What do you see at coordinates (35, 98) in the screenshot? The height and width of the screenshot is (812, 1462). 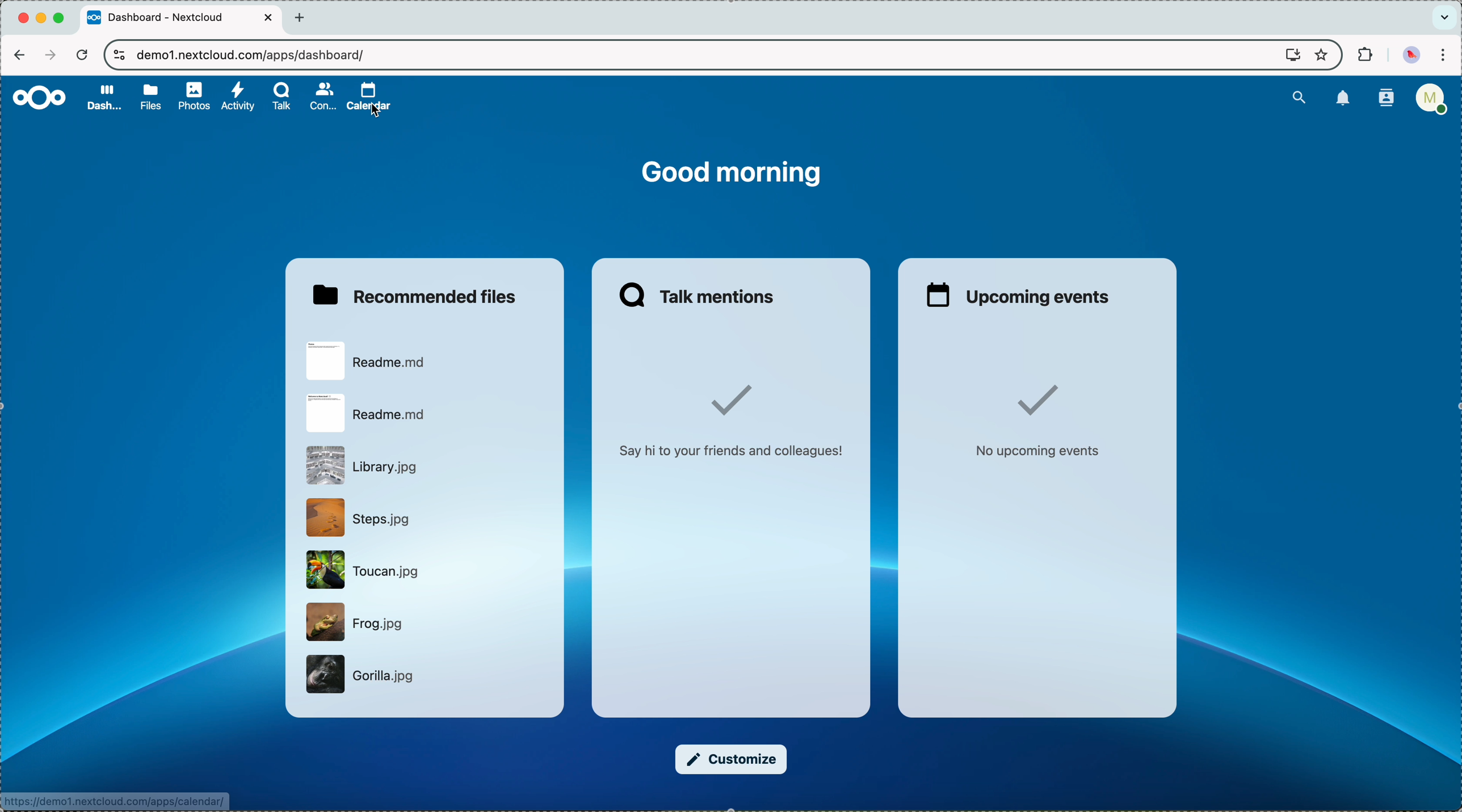 I see `Nextcloud logo` at bounding box center [35, 98].